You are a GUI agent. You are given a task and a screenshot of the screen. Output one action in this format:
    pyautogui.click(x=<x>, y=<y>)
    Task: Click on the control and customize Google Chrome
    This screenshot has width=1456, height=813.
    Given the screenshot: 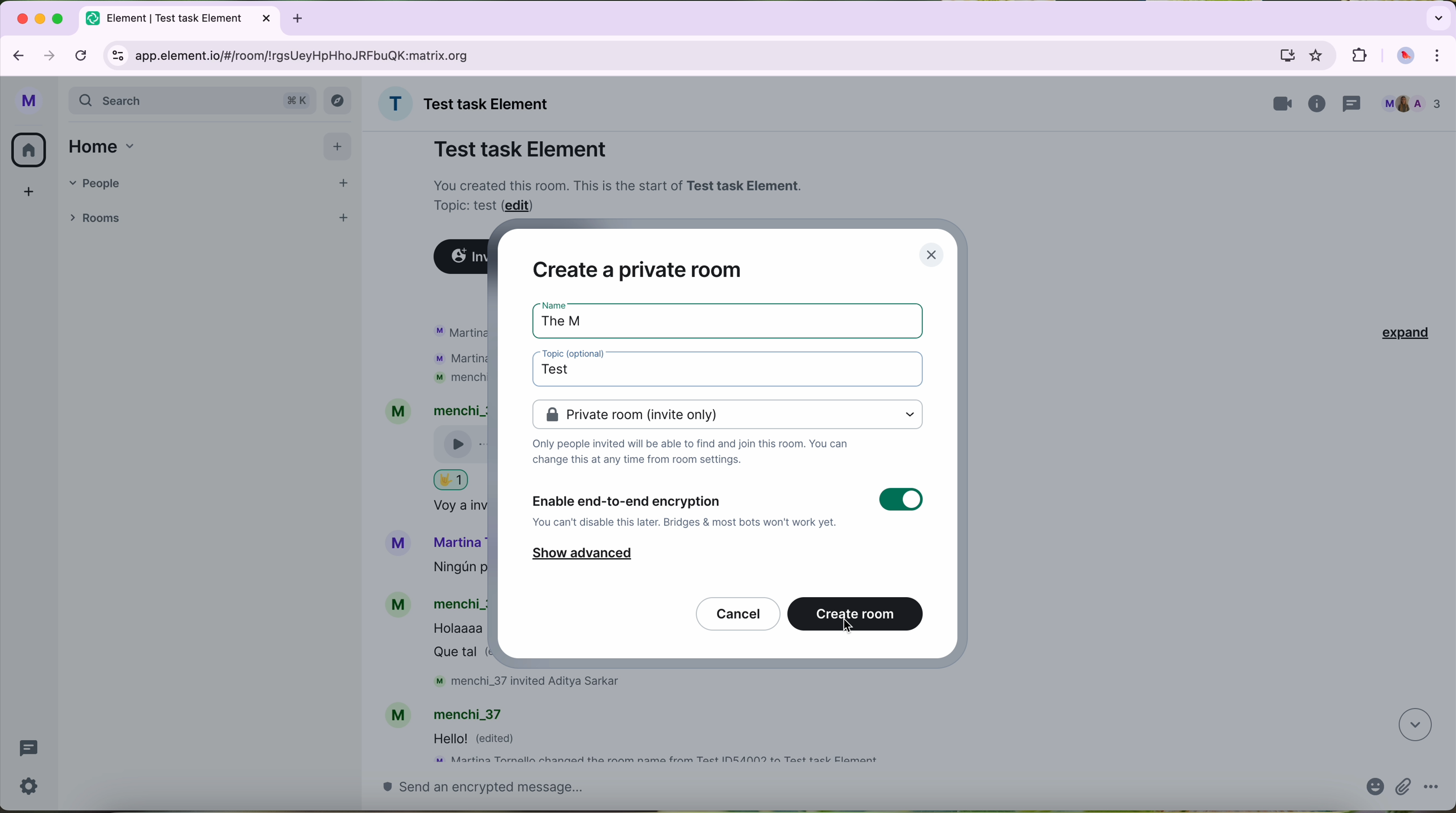 What is the action you would take?
    pyautogui.click(x=1443, y=56)
    